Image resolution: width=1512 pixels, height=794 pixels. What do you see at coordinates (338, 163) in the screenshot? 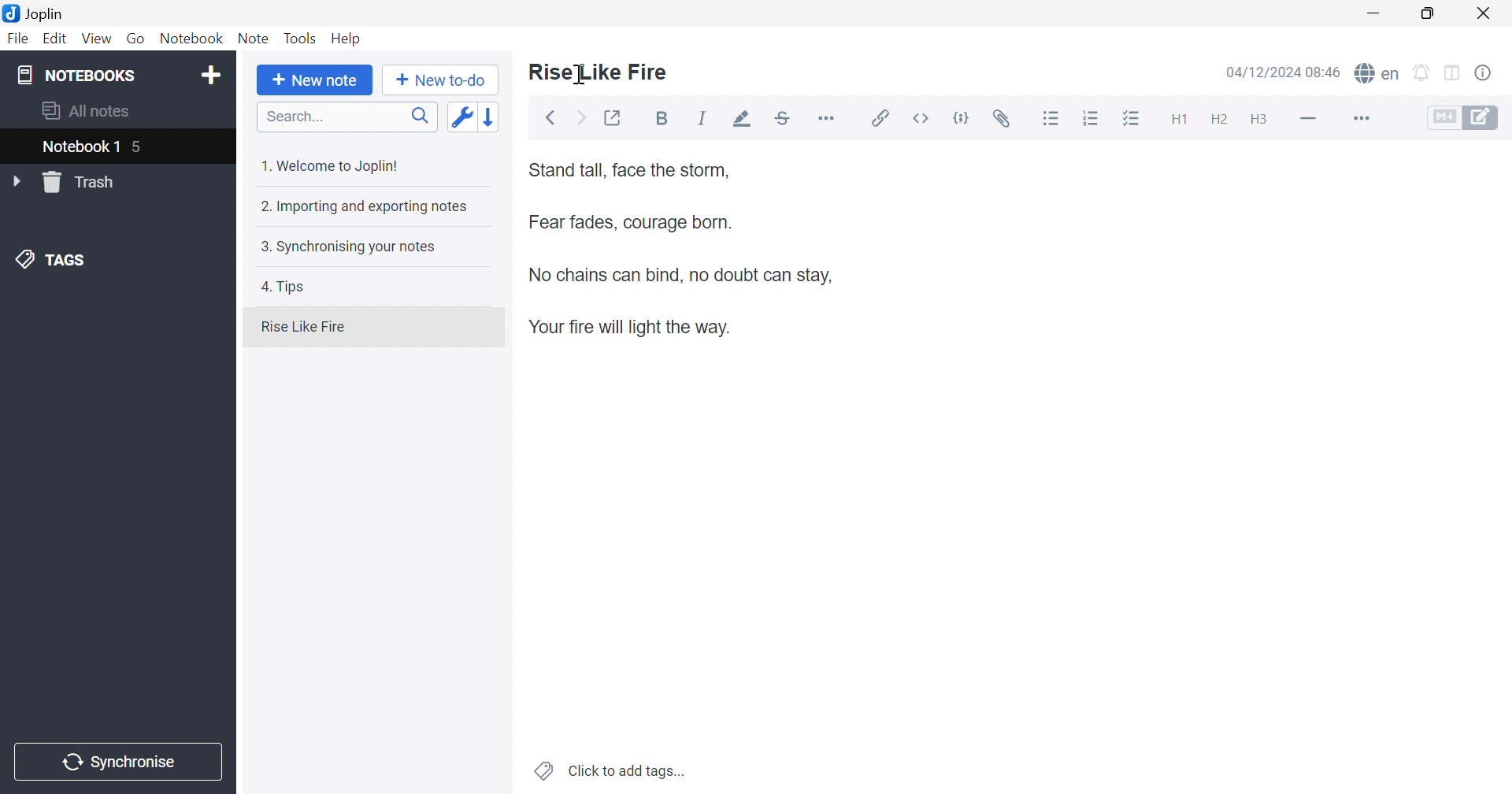
I see `1. Welcome to Joplin!` at bounding box center [338, 163].